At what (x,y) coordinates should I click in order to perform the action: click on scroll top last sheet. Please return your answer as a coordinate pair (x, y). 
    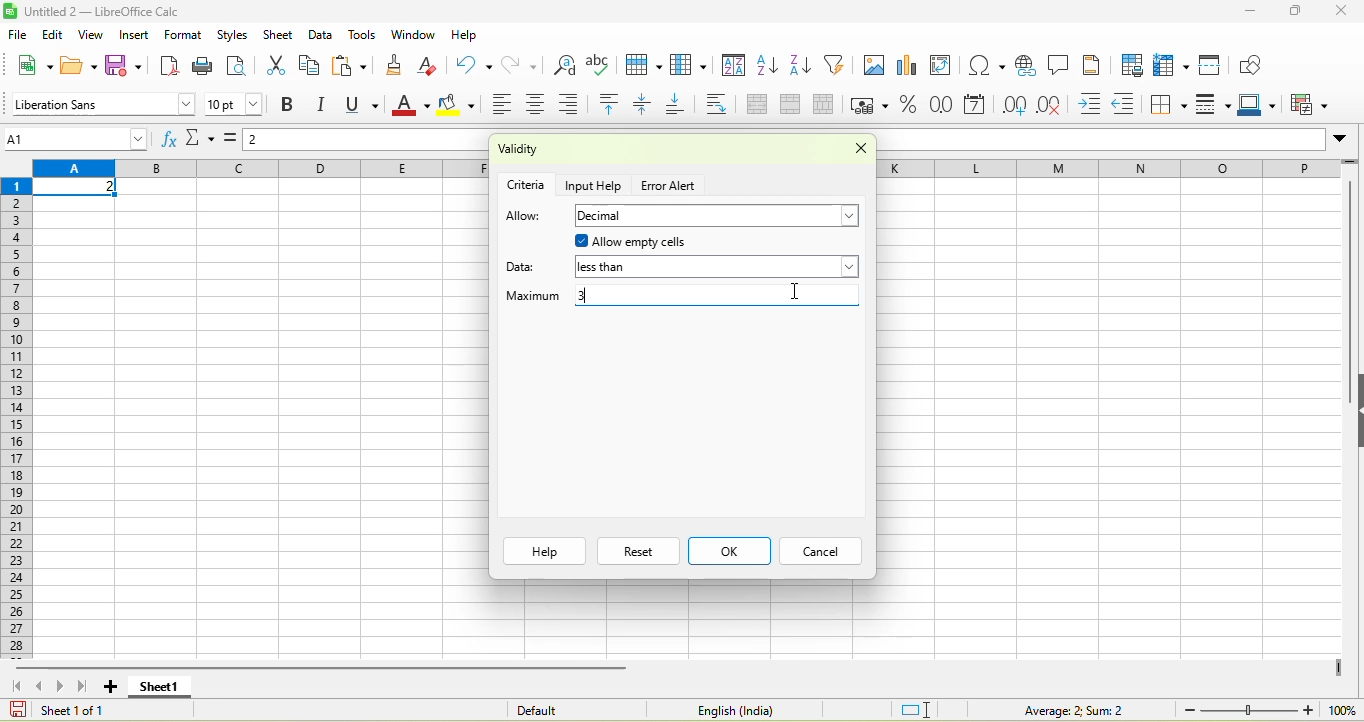
    Looking at the image, I should click on (86, 686).